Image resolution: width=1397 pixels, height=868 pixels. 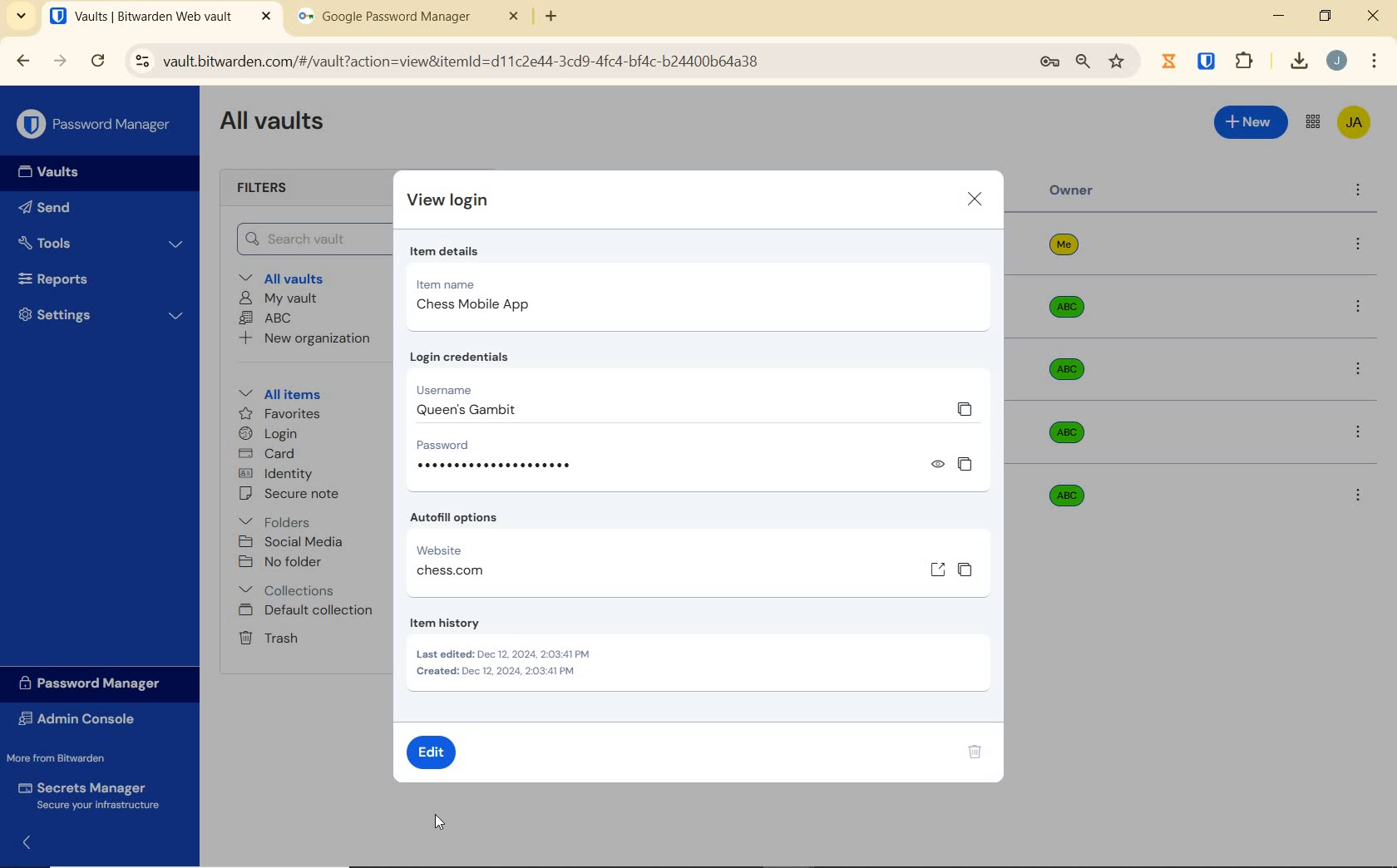 I want to click on backward, so click(x=22, y=61).